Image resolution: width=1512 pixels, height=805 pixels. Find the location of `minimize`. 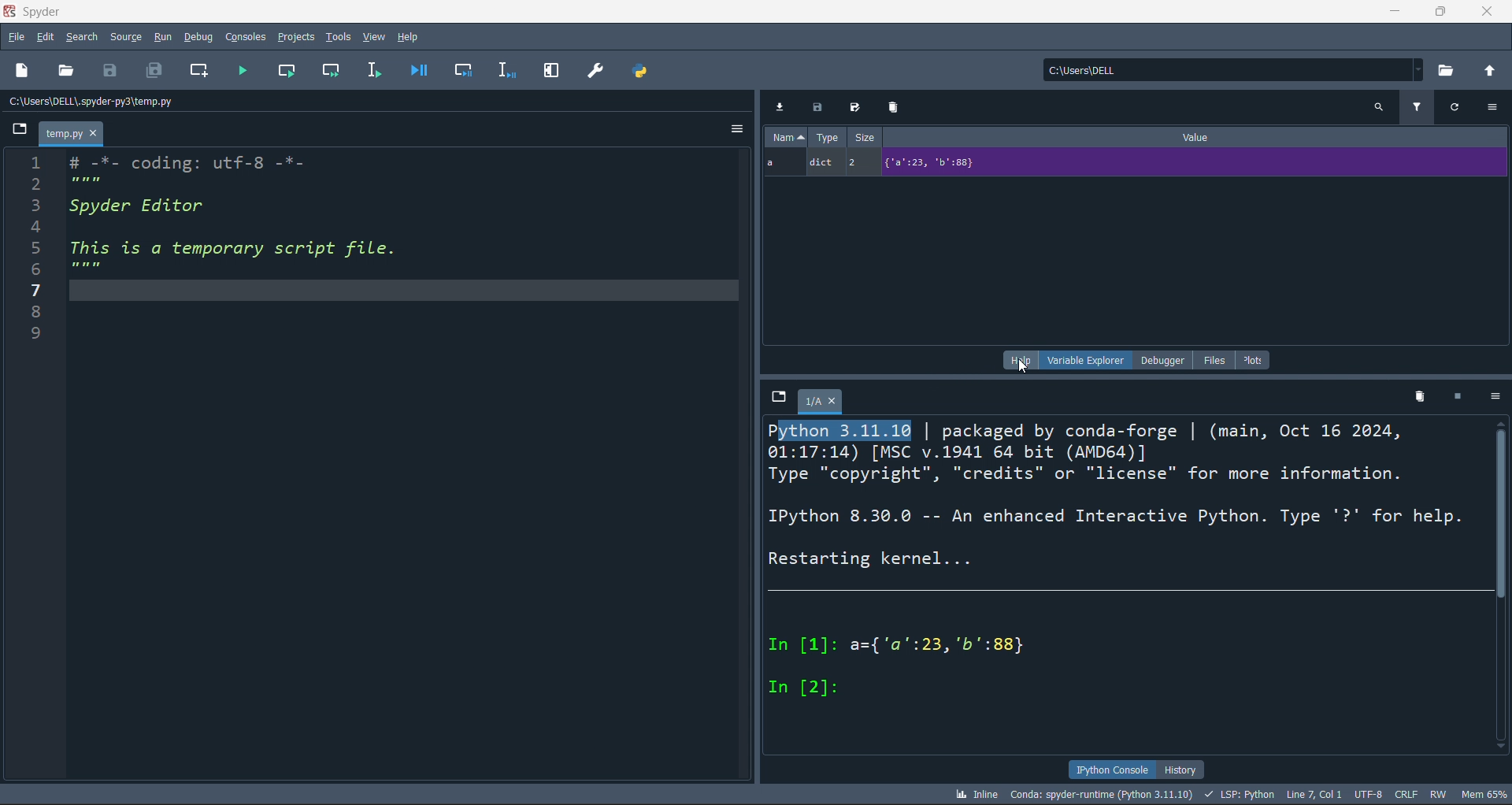

minimize is located at coordinates (1392, 13).